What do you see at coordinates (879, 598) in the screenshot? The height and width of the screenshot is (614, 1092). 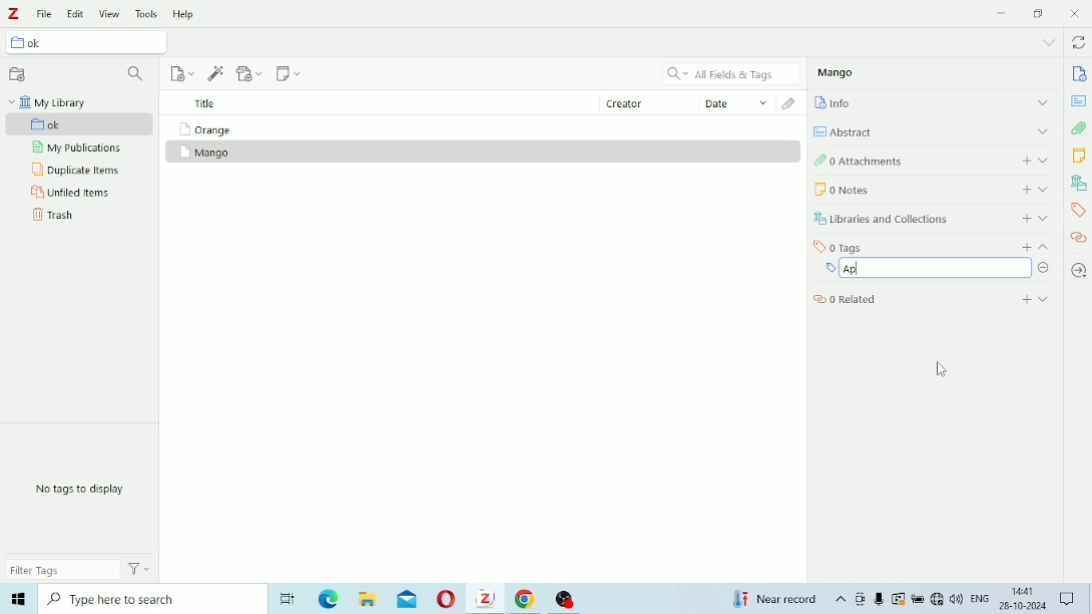 I see `Mic` at bounding box center [879, 598].